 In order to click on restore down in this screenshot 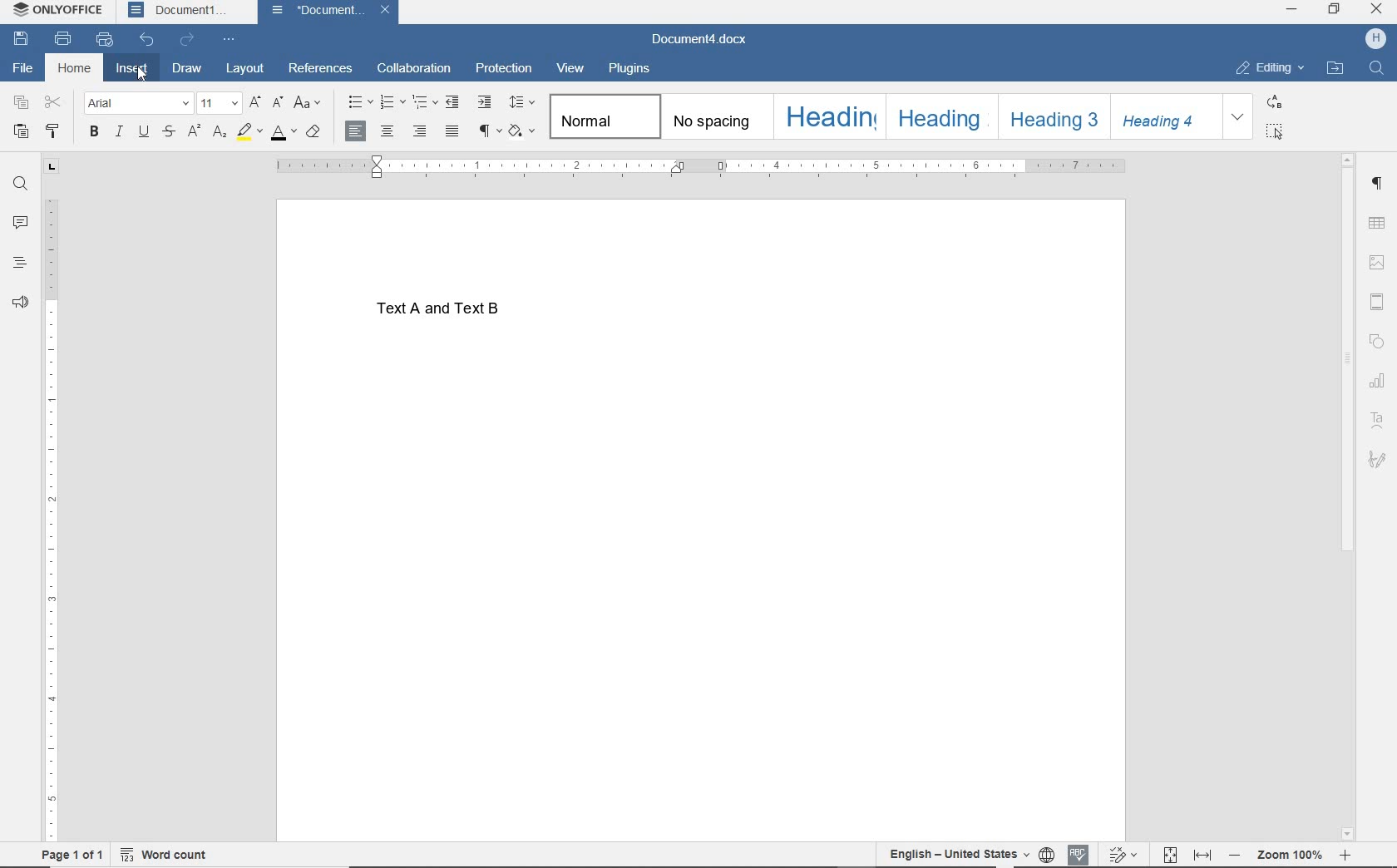, I will do `click(1335, 10)`.